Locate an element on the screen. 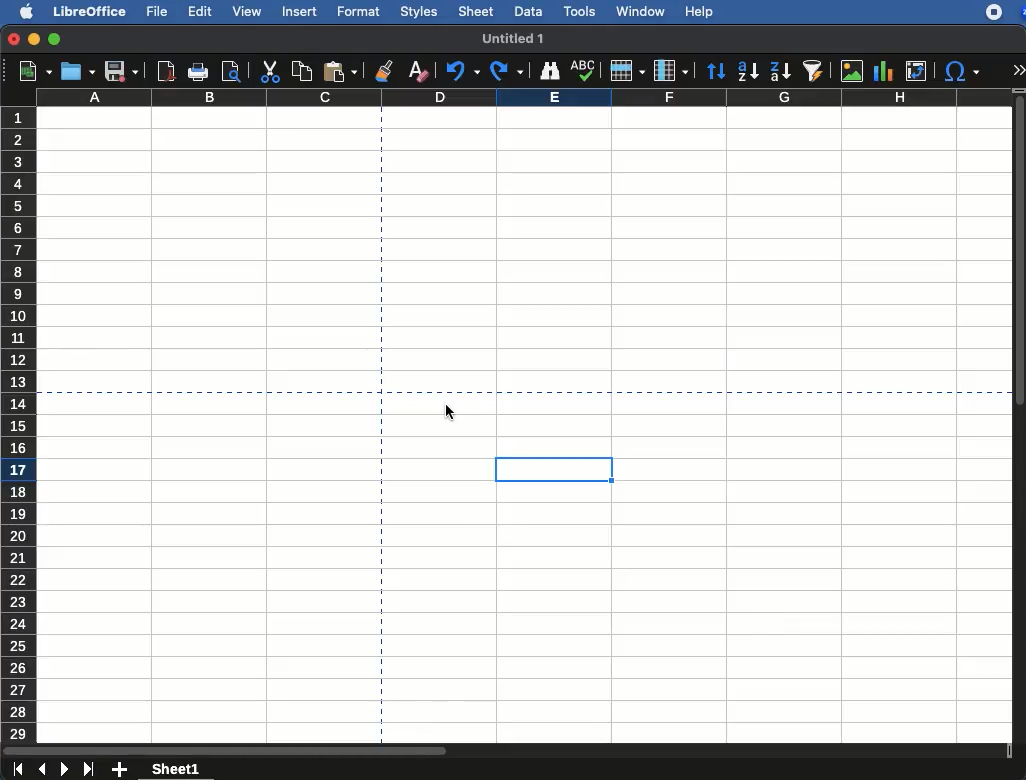  cut is located at coordinates (269, 73).